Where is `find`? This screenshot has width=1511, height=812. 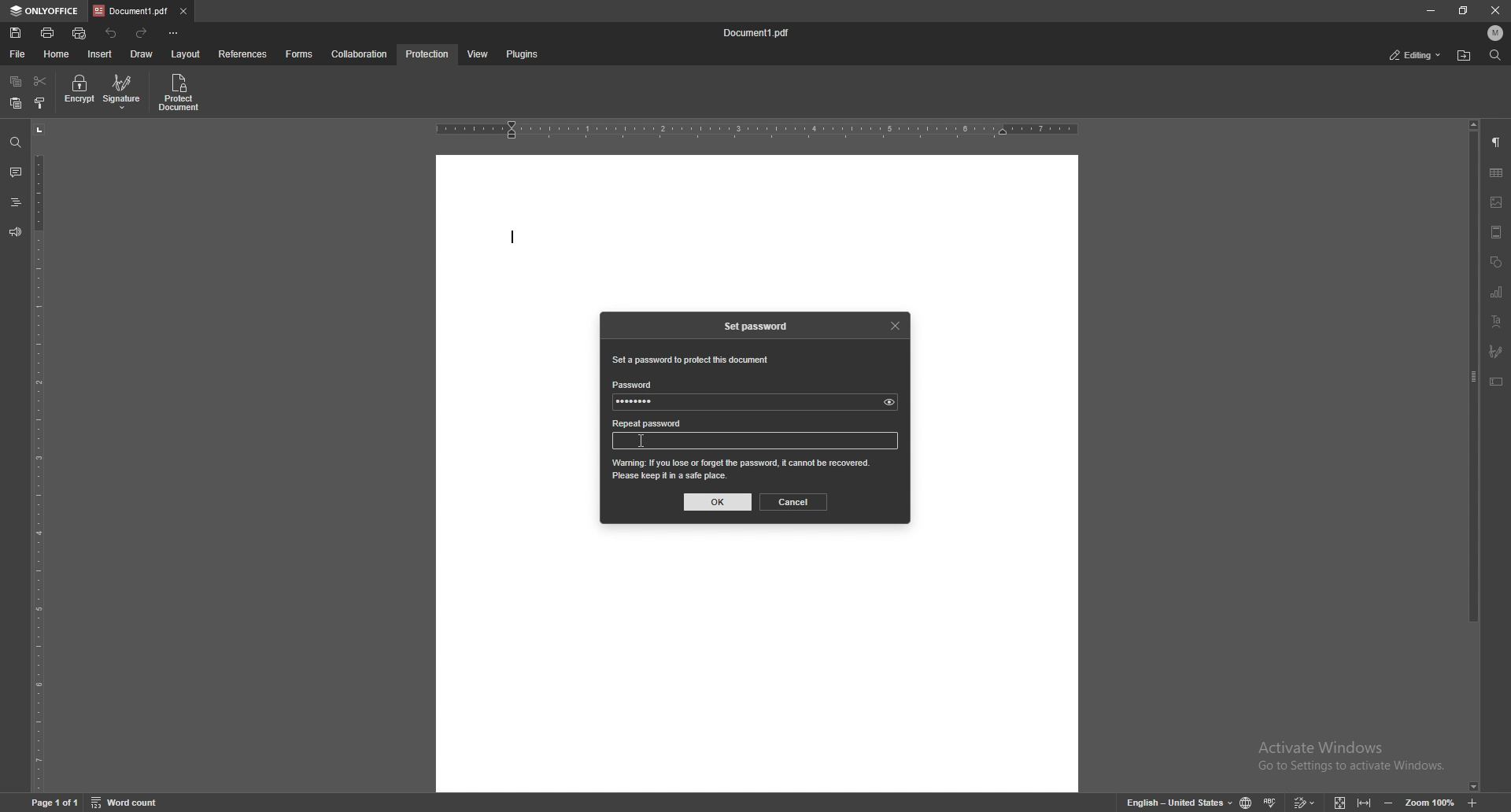 find is located at coordinates (1494, 55).